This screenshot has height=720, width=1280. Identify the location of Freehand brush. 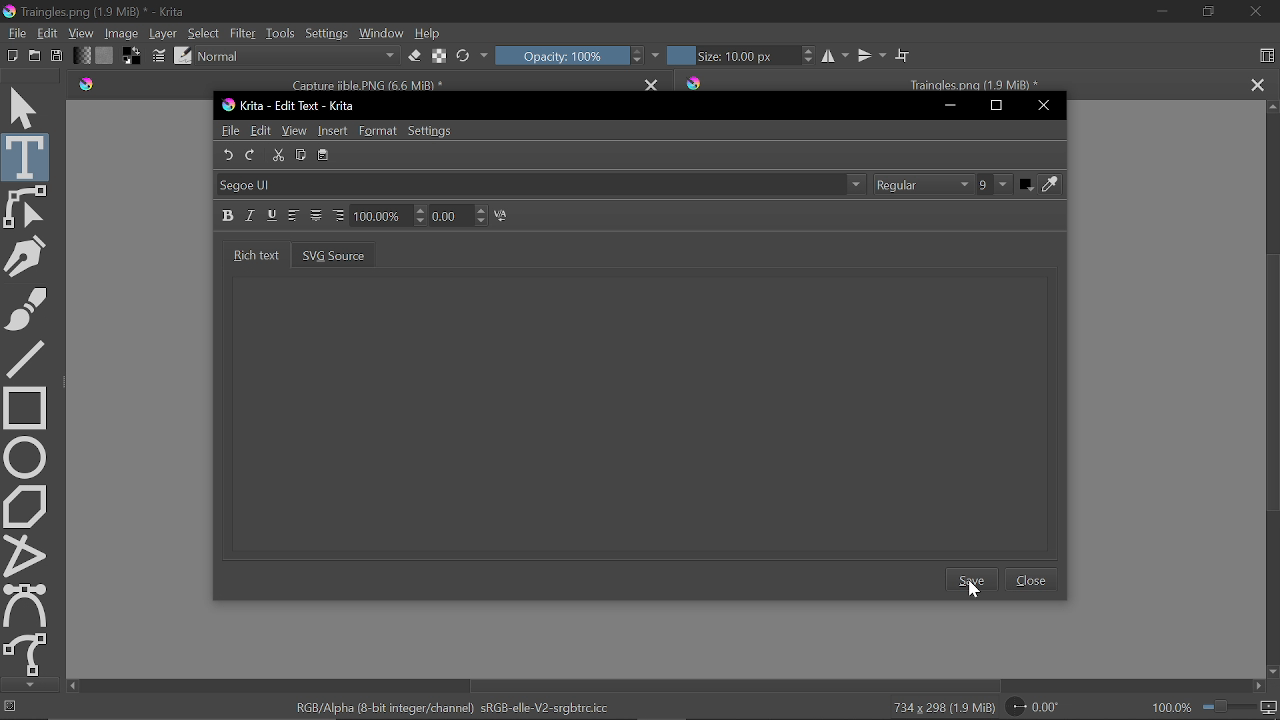
(26, 309).